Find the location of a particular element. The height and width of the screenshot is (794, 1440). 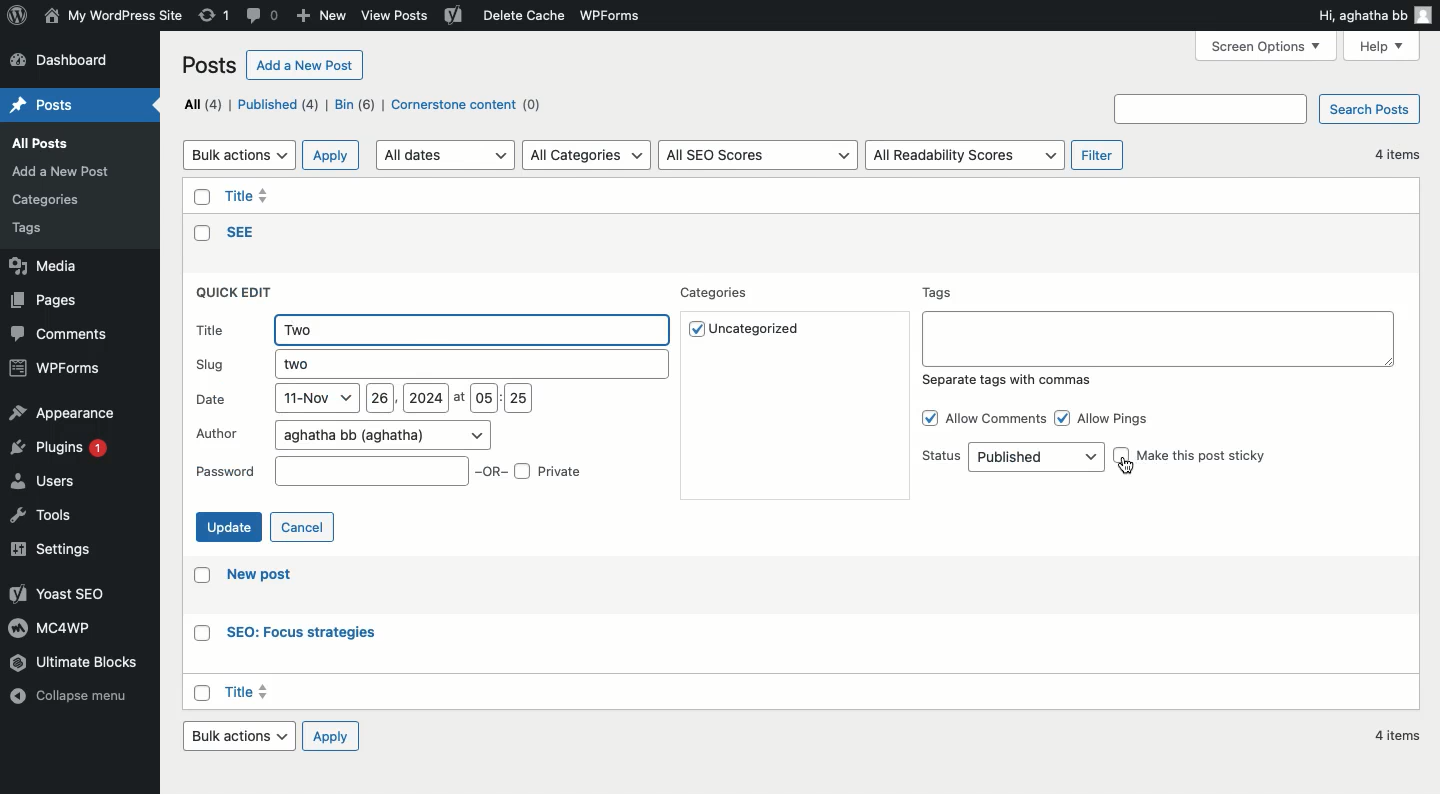

Apply is located at coordinates (338, 736).